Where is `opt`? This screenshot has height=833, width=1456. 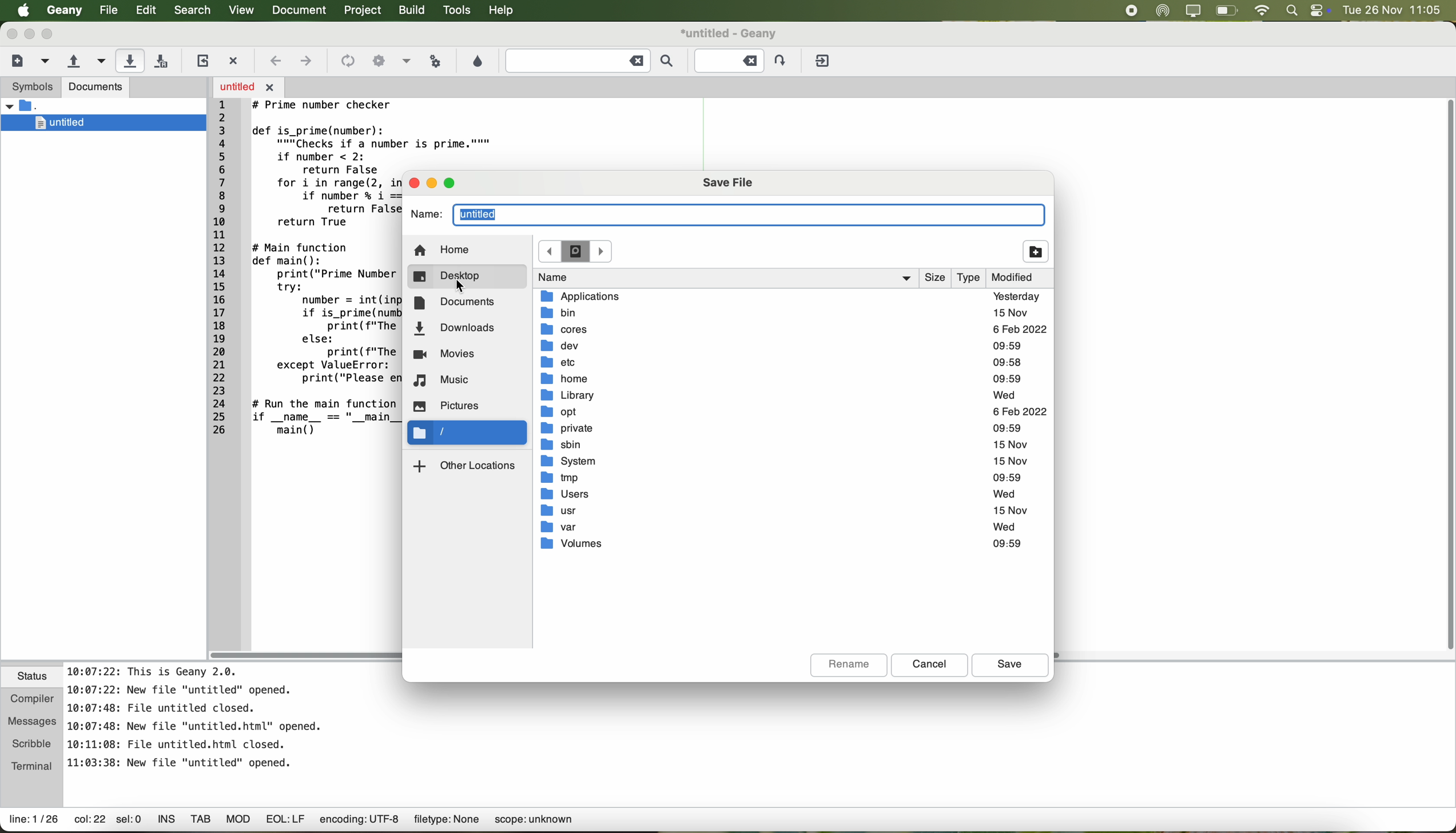
opt is located at coordinates (793, 412).